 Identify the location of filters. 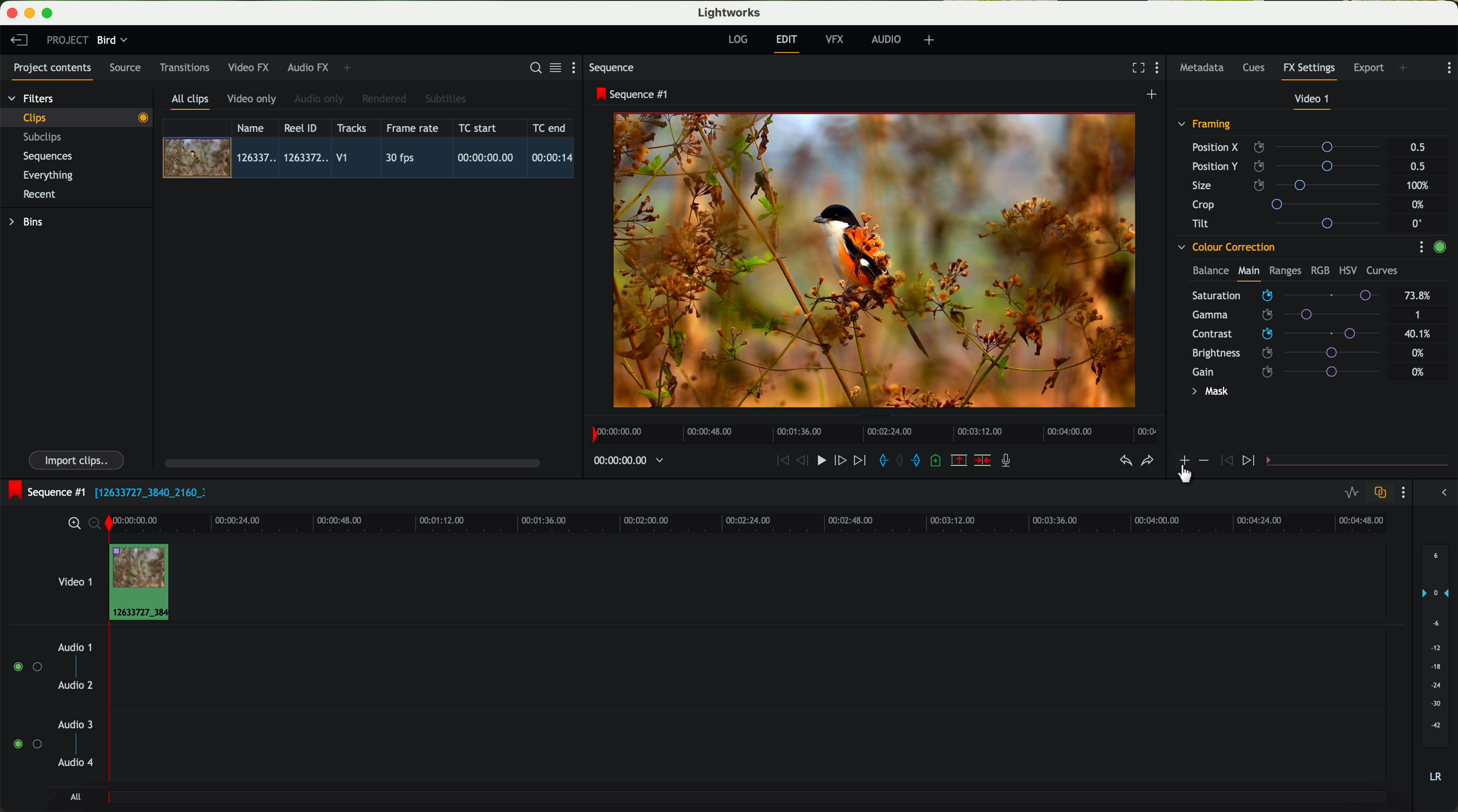
(32, 98).